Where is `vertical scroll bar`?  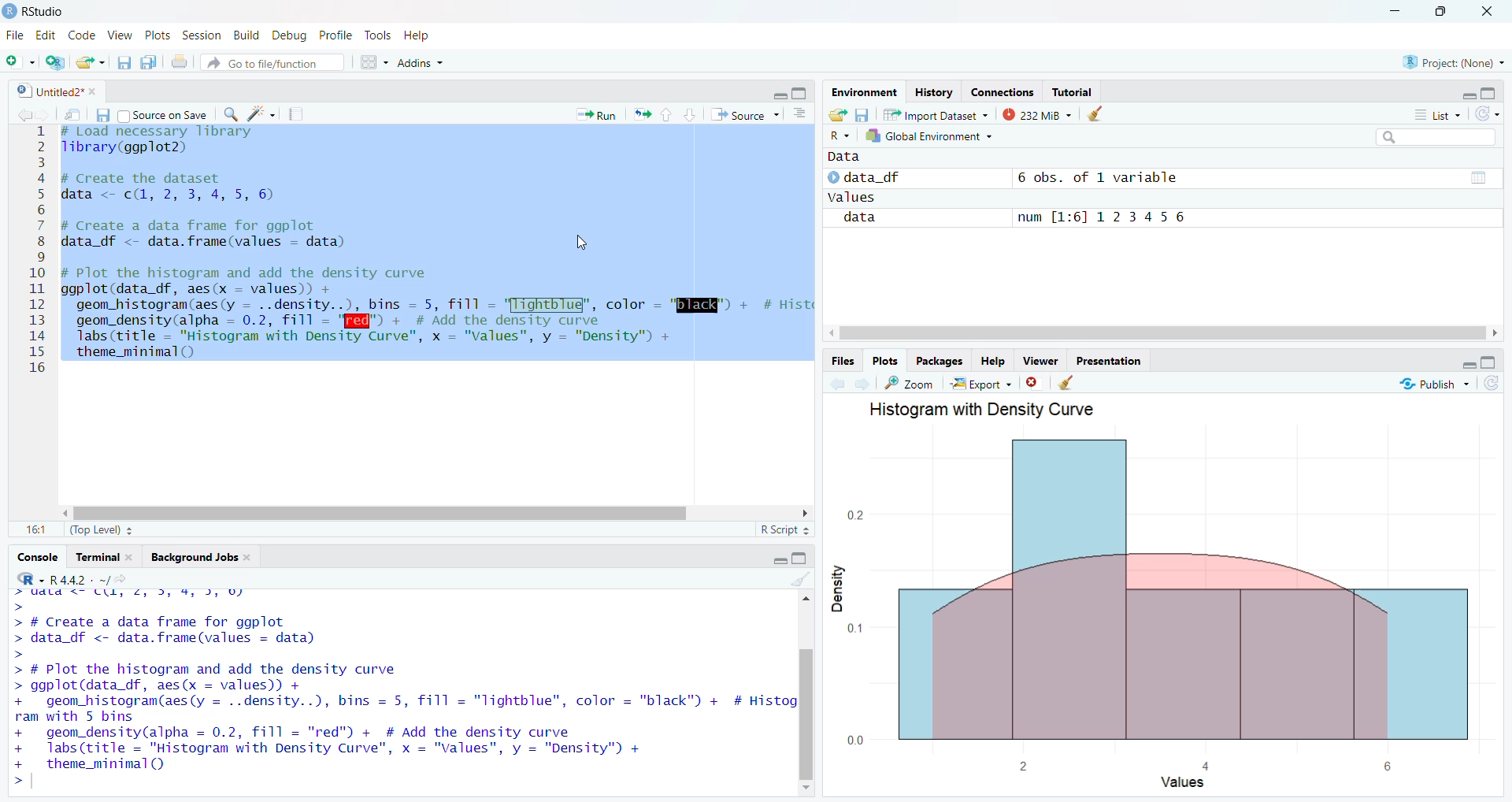
vertical scroll bar is located at coordinates (804, 715).